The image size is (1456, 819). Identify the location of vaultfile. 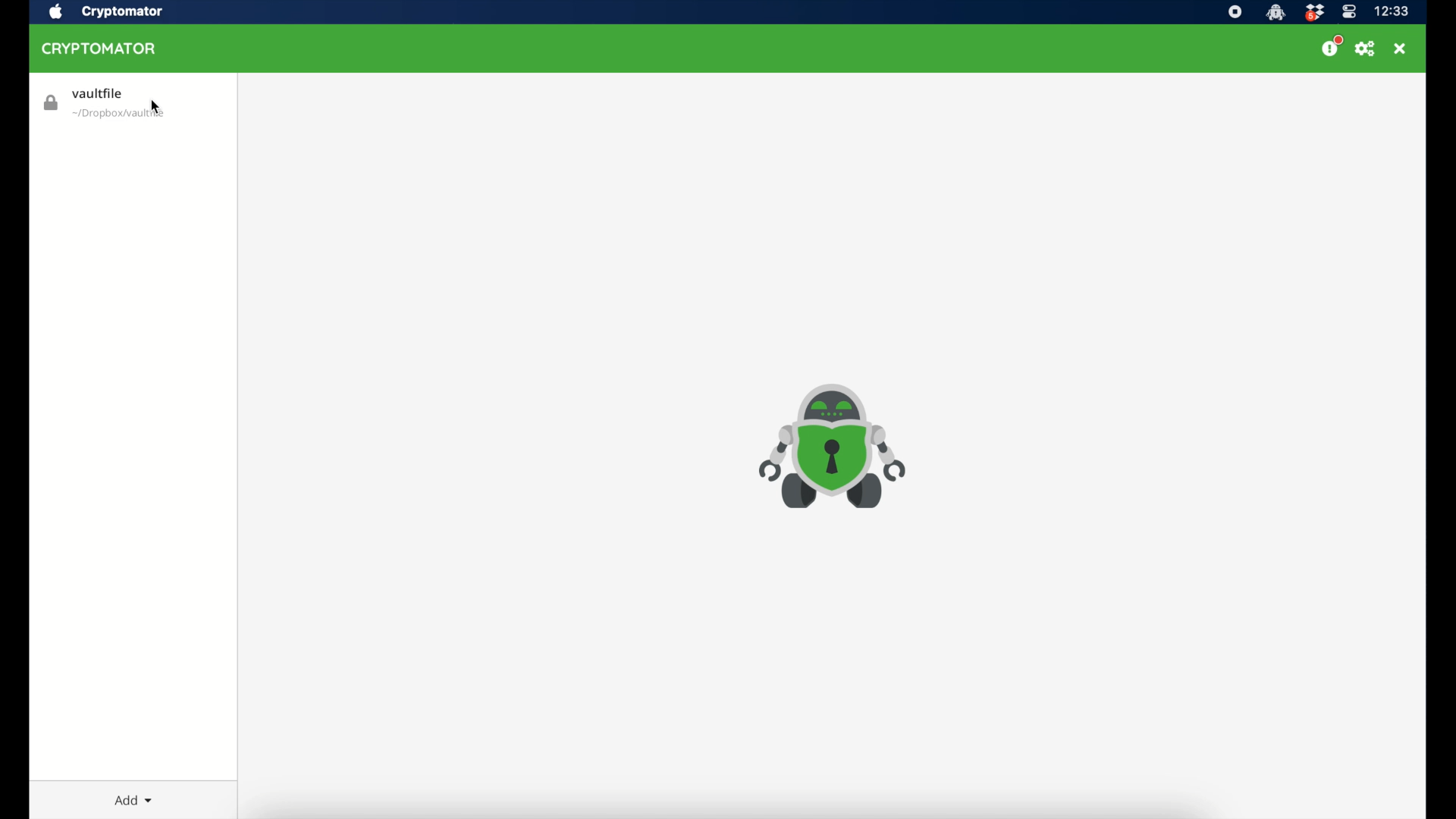
(105, 105).